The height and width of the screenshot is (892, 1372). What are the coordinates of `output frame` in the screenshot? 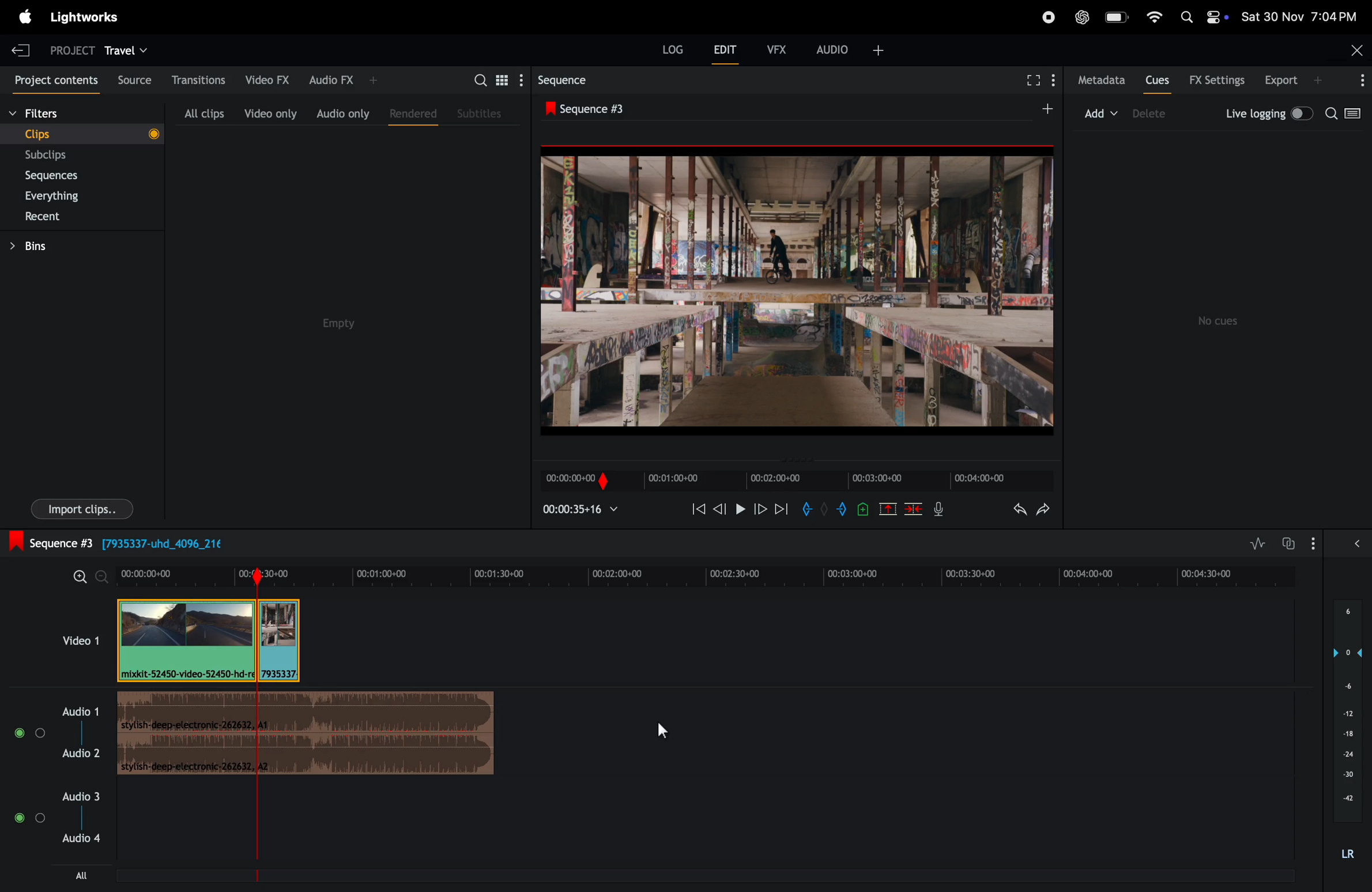 It's located at (800, 289).